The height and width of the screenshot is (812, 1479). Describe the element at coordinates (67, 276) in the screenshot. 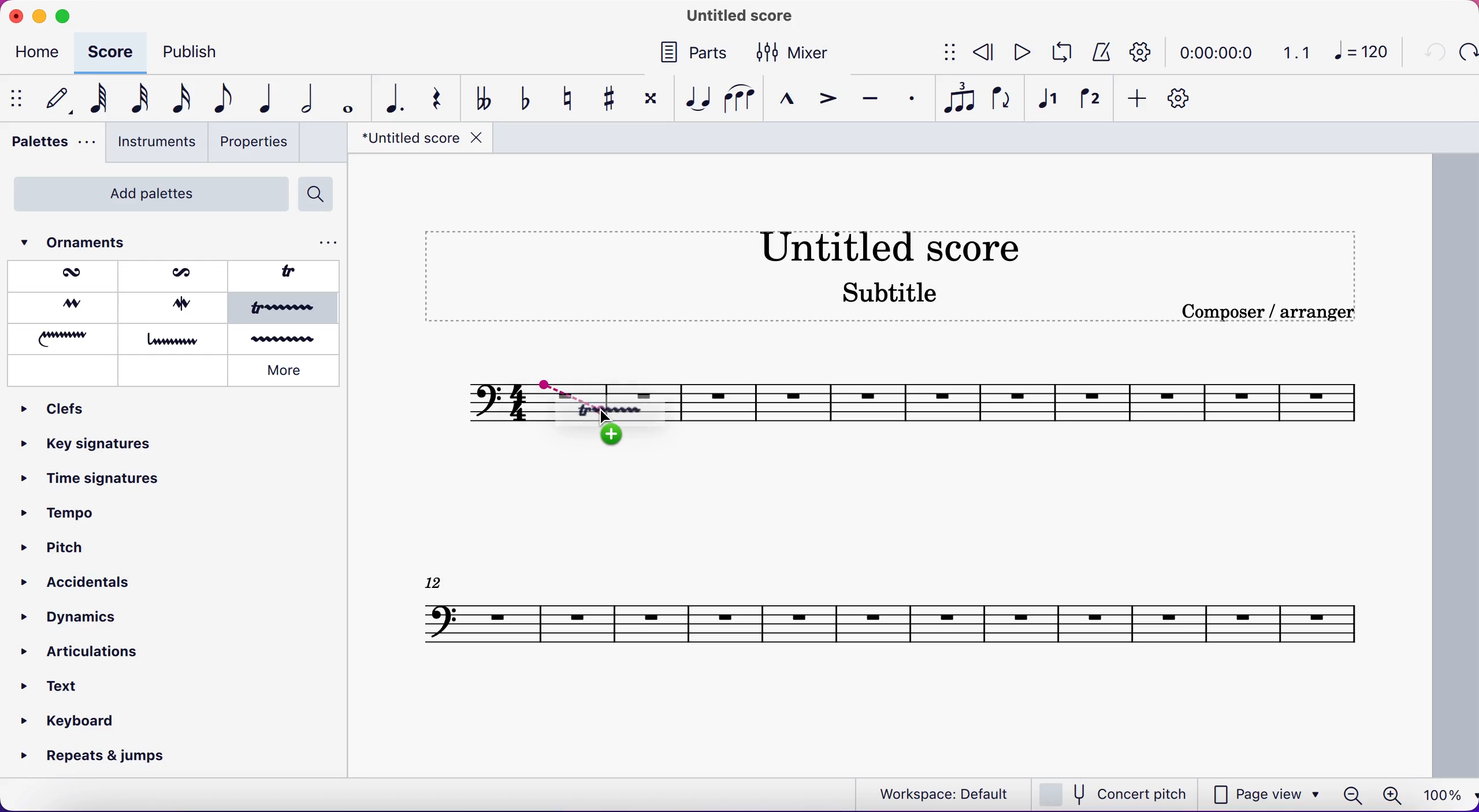

I see `mordent` at that location.